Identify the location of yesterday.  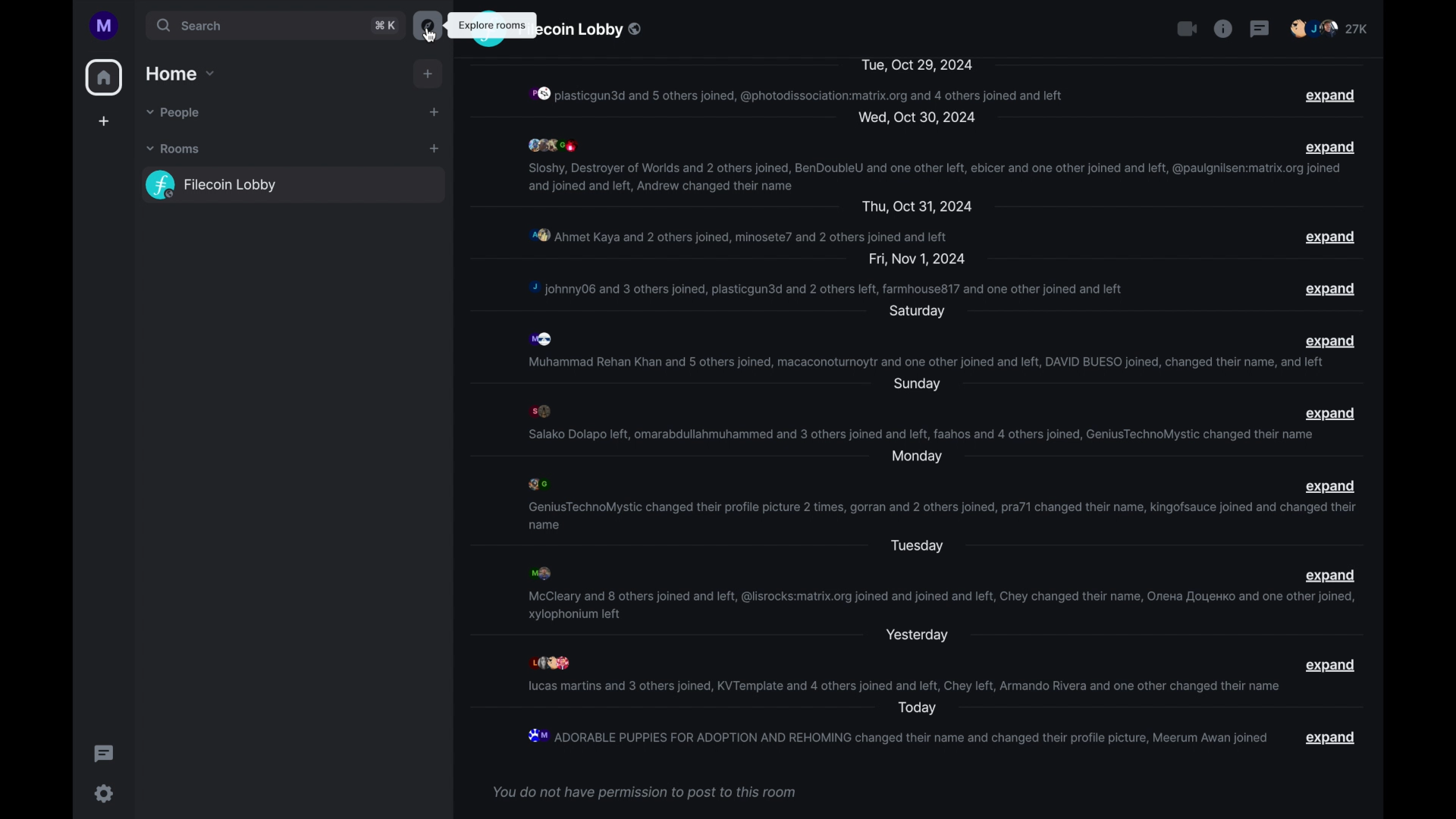
(917, 636).